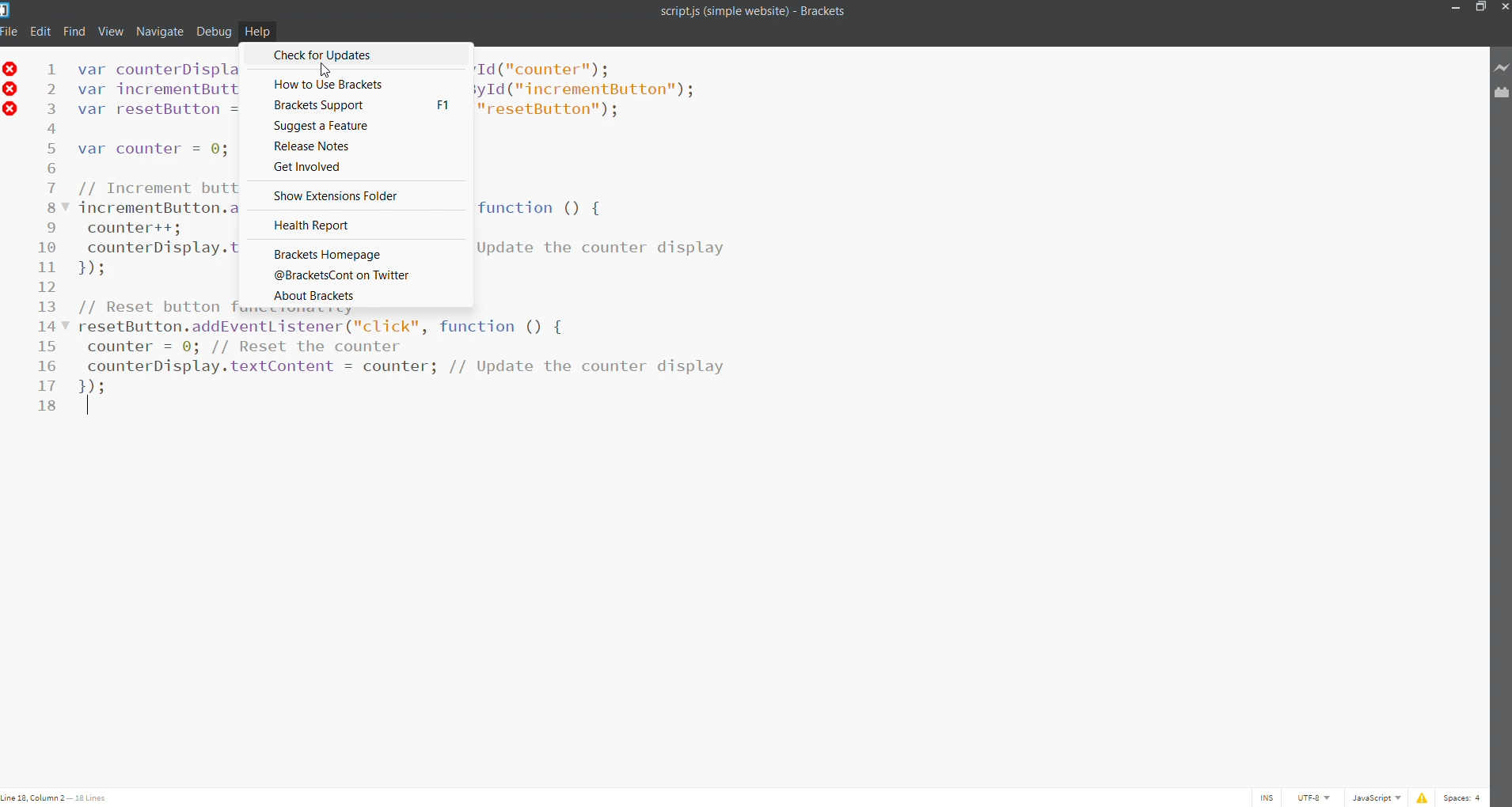 Image resolution: width=1512 pixels, height=807 pixels. Describe the element at coordinates (332, 71) in the screenshot. I see `Cursor` at that location.